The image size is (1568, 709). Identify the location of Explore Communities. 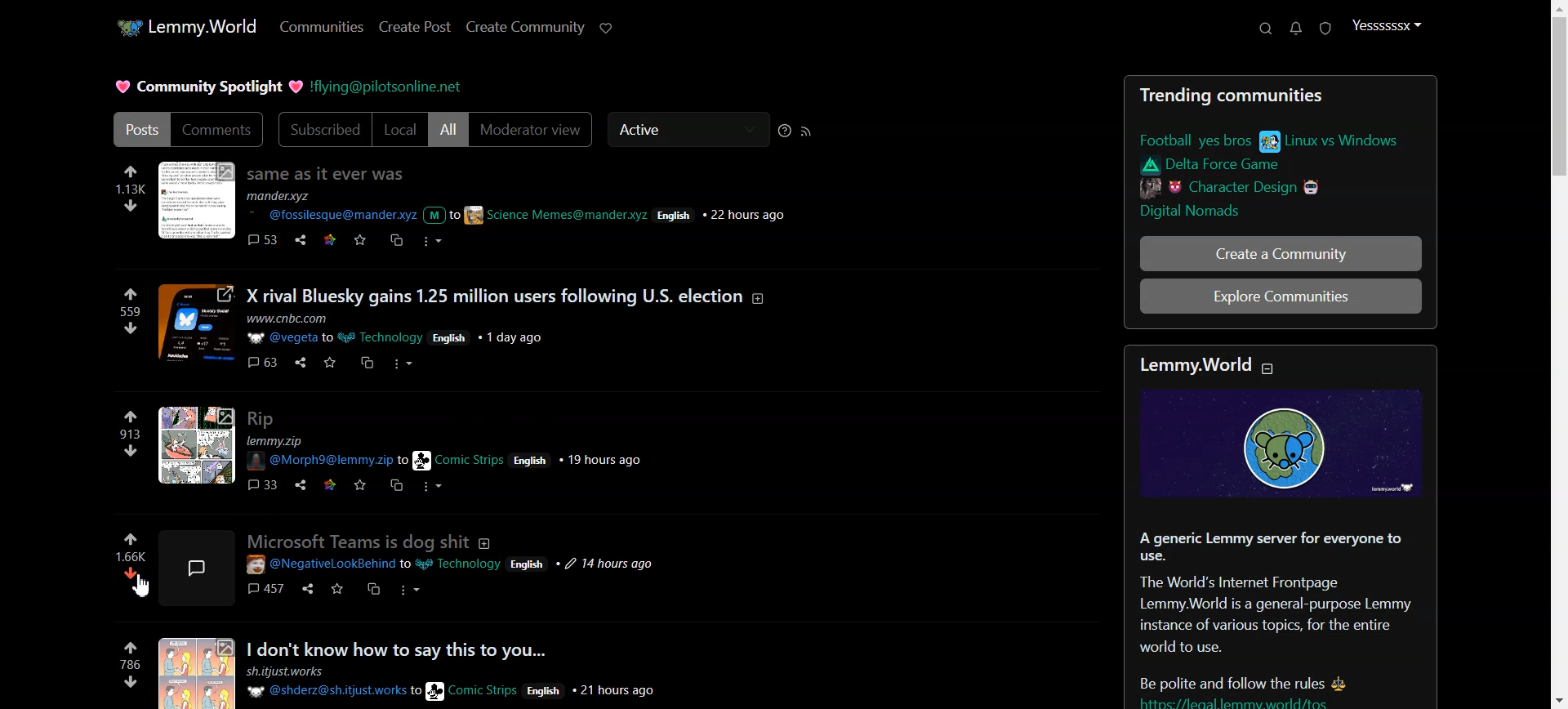
(1281, 296).